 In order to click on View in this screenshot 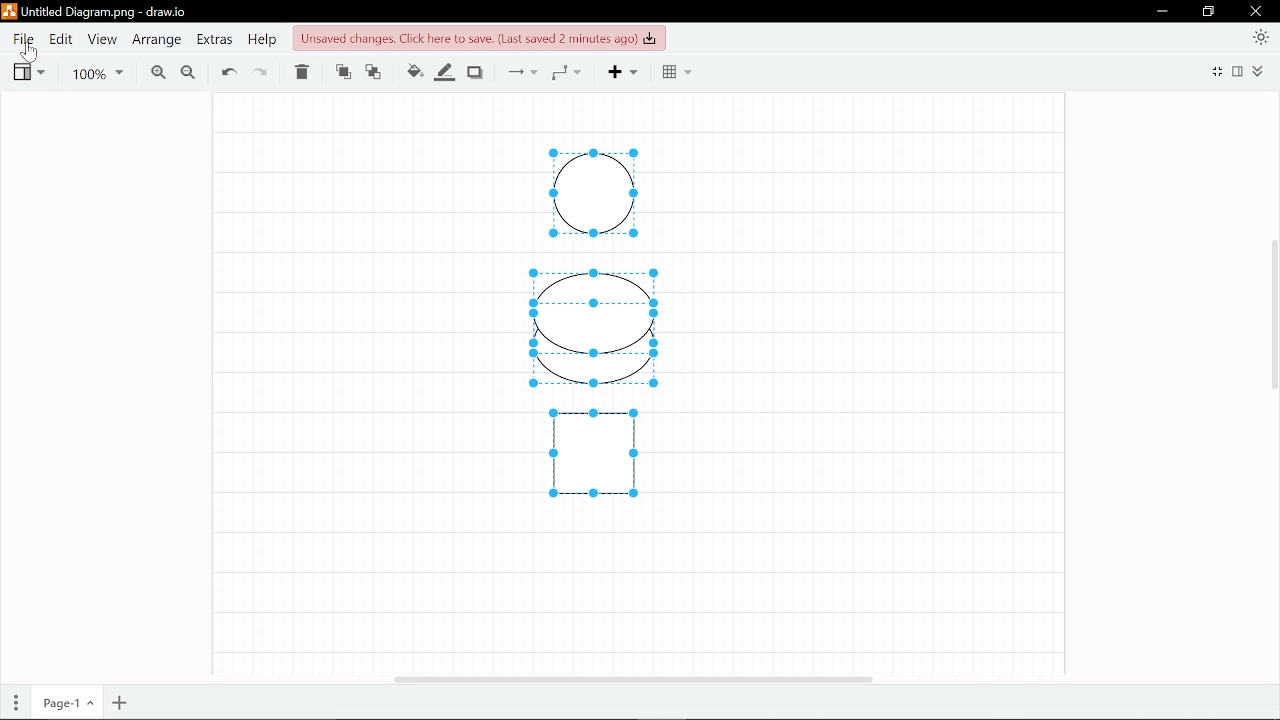, I will do `click(101, 40)`.